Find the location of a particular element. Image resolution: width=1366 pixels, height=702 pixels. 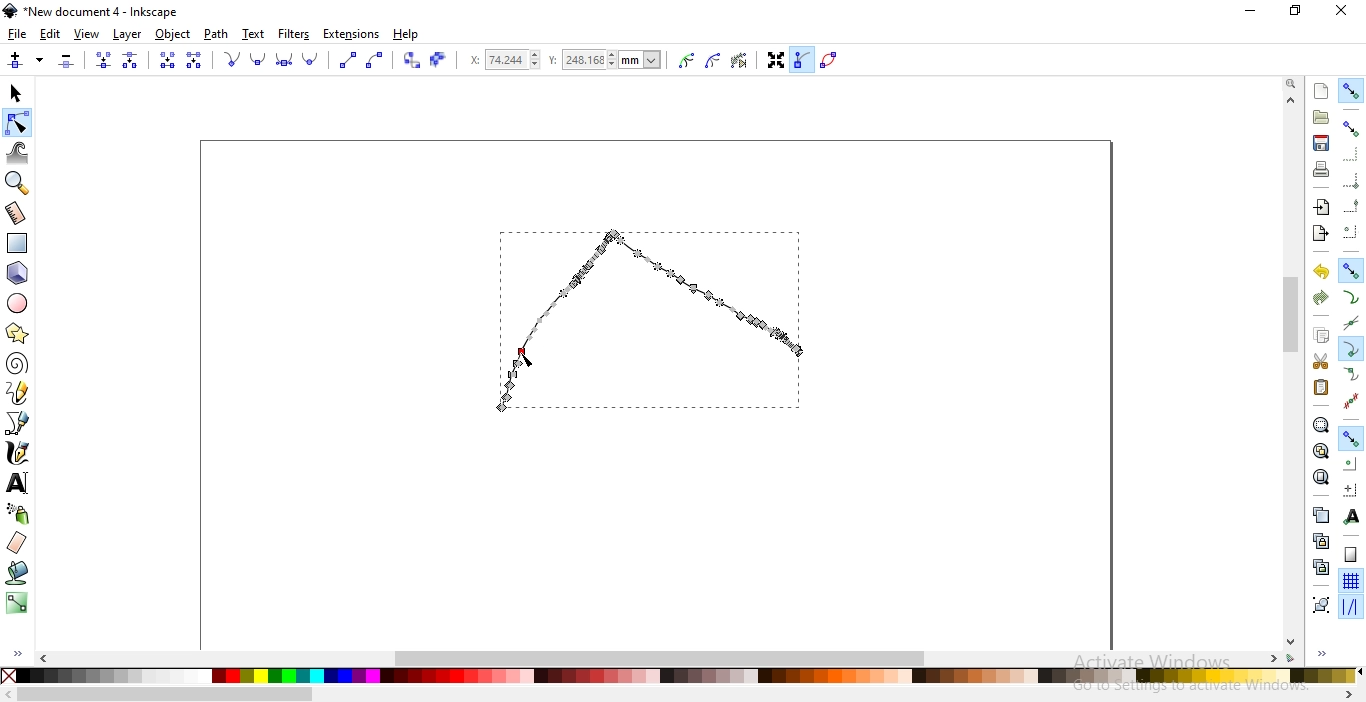

snap midpoints of line segments is located at coordinates (1352, 400).